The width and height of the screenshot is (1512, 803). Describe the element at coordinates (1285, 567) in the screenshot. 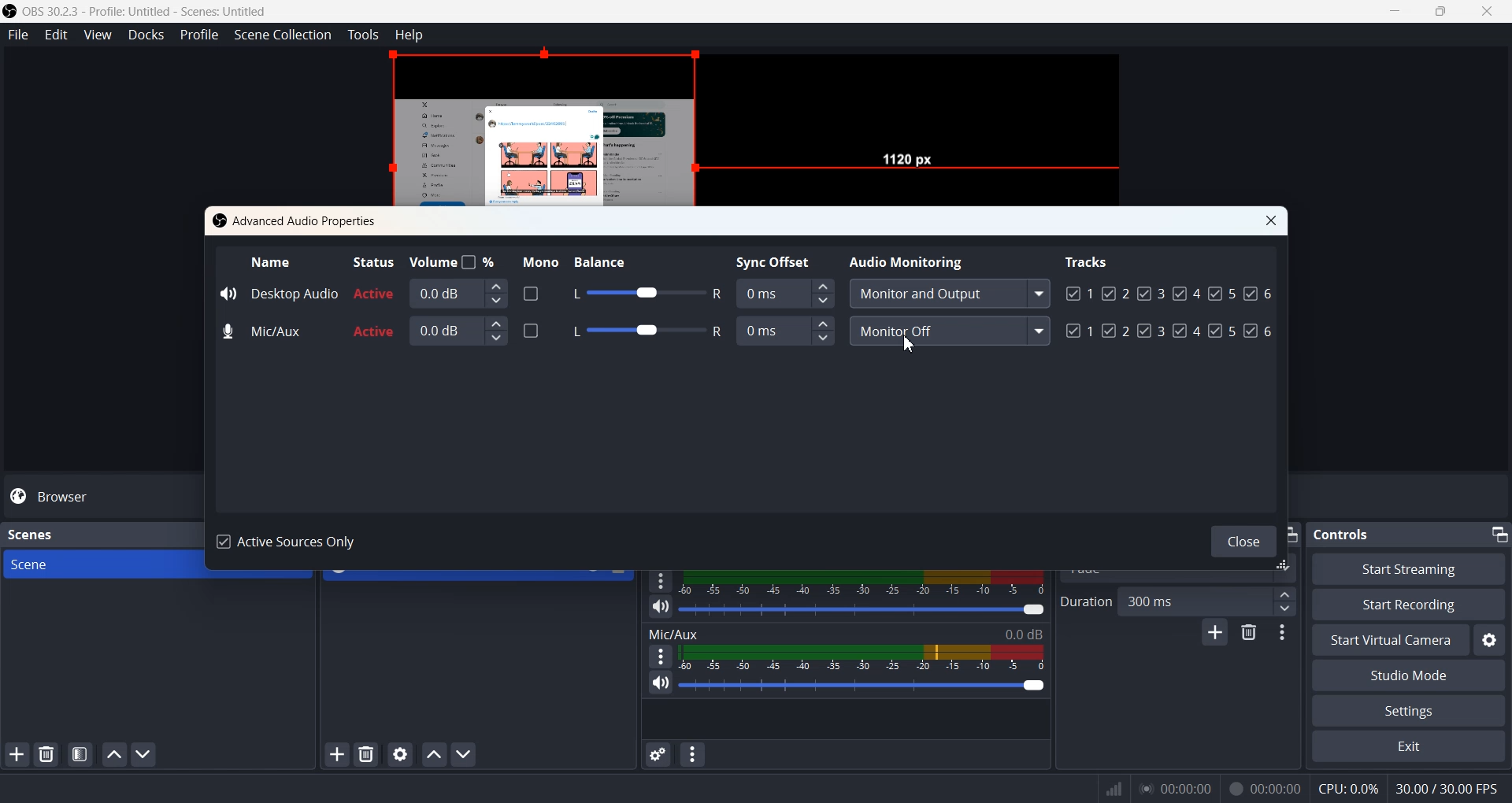

I see `window adjuster` at that location.